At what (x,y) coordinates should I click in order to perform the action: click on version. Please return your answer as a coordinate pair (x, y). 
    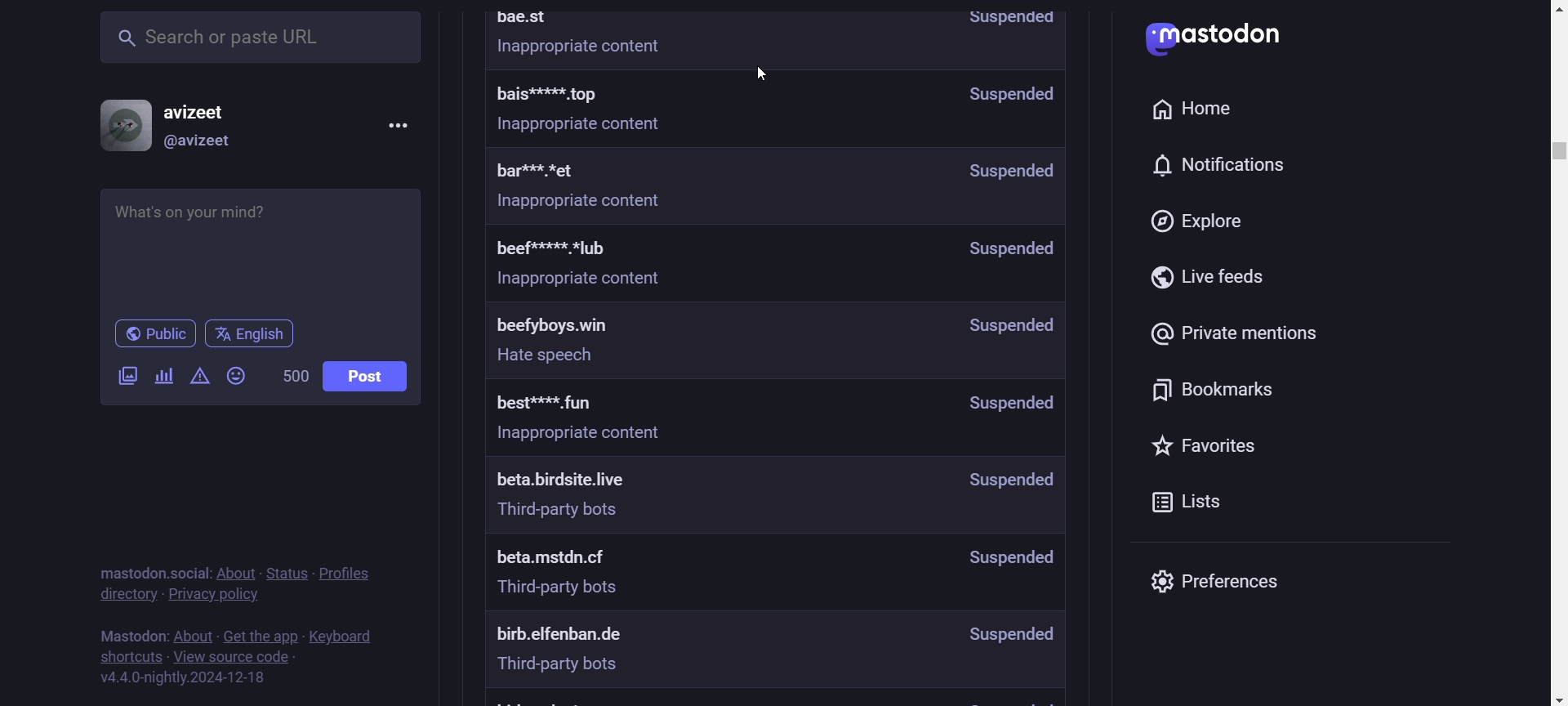
    Looking at the image, I should click on (184, 679).